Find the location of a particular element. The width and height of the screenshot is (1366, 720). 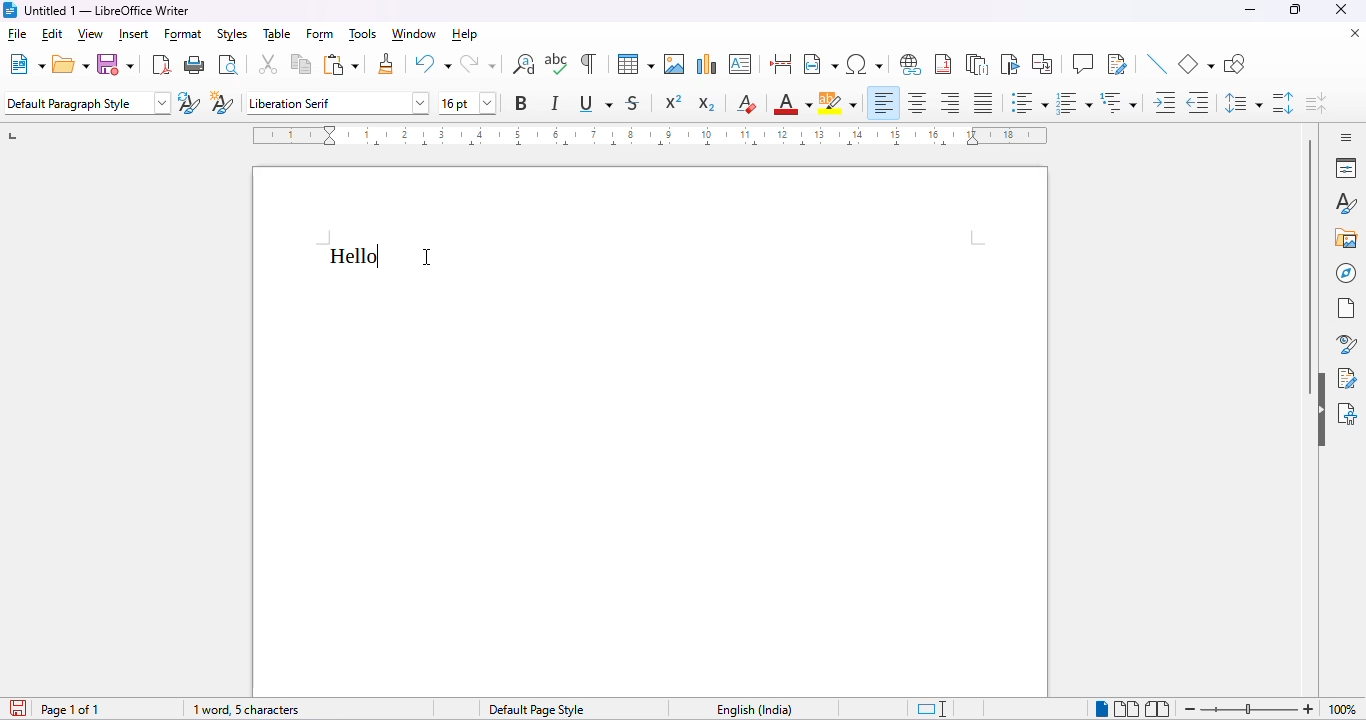

set line spacing is located at coordinates (1243, 104).